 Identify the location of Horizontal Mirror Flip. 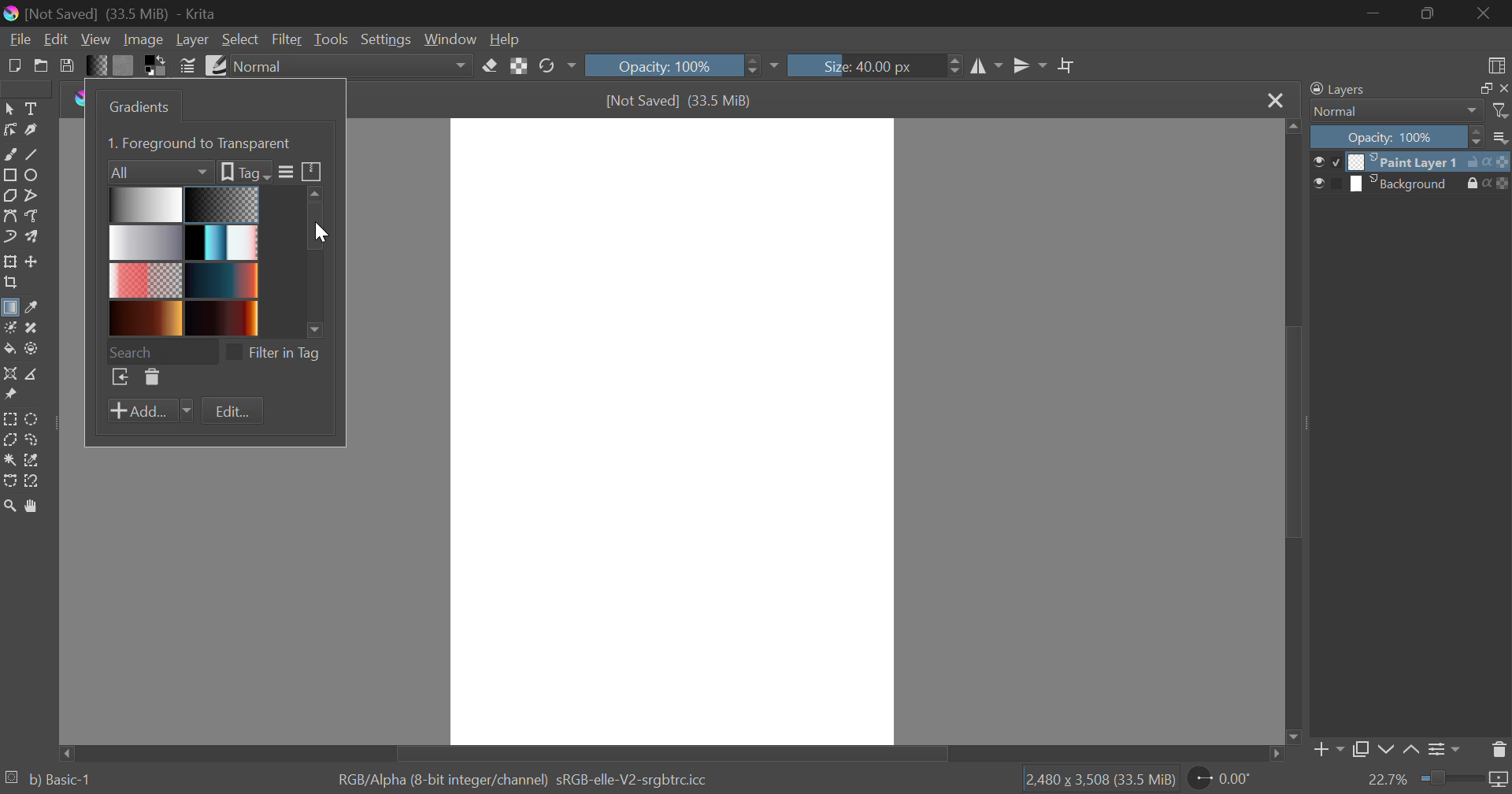
(1026, 68).